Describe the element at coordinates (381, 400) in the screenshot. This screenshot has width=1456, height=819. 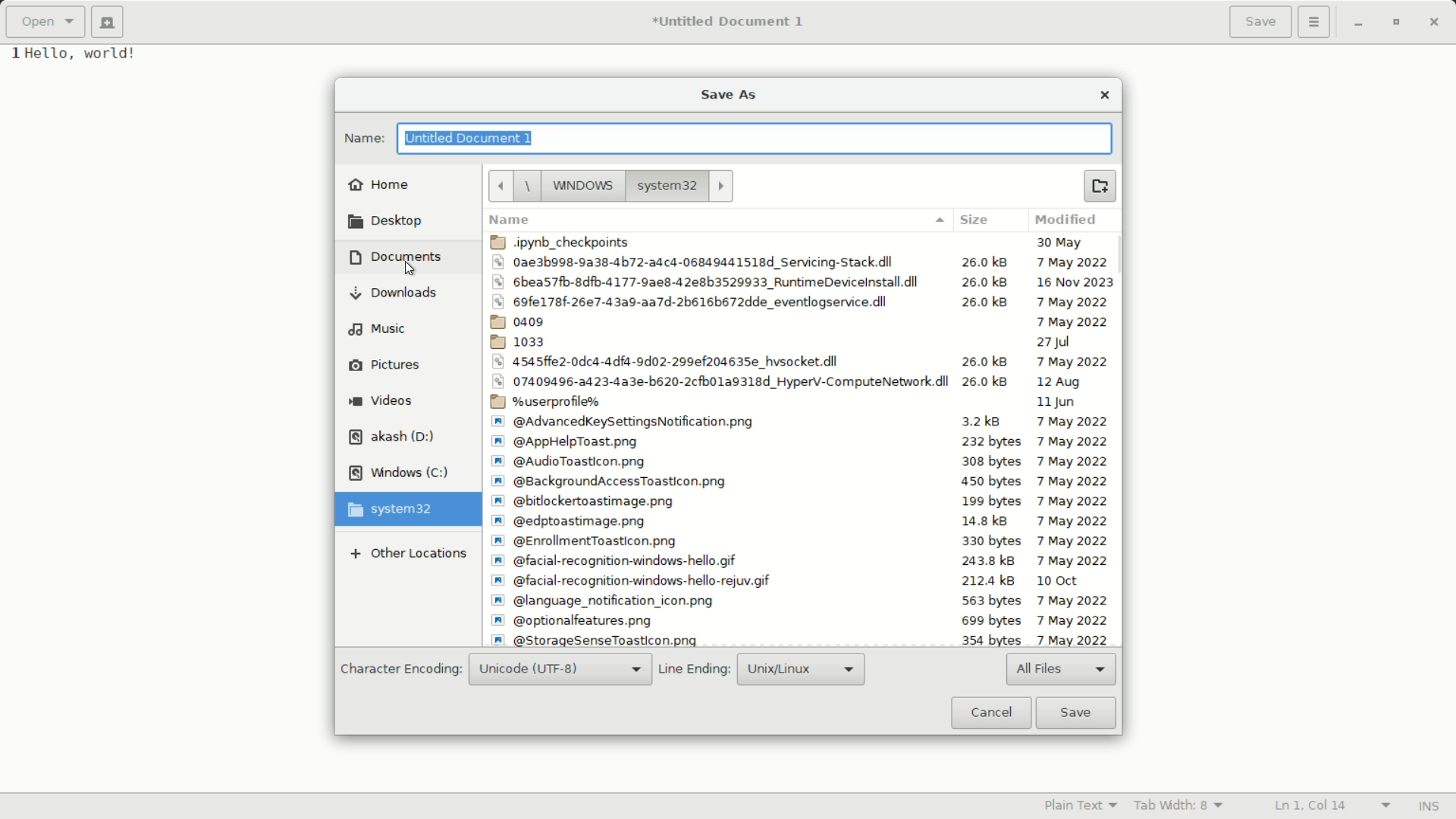
I see `videos` at that location.